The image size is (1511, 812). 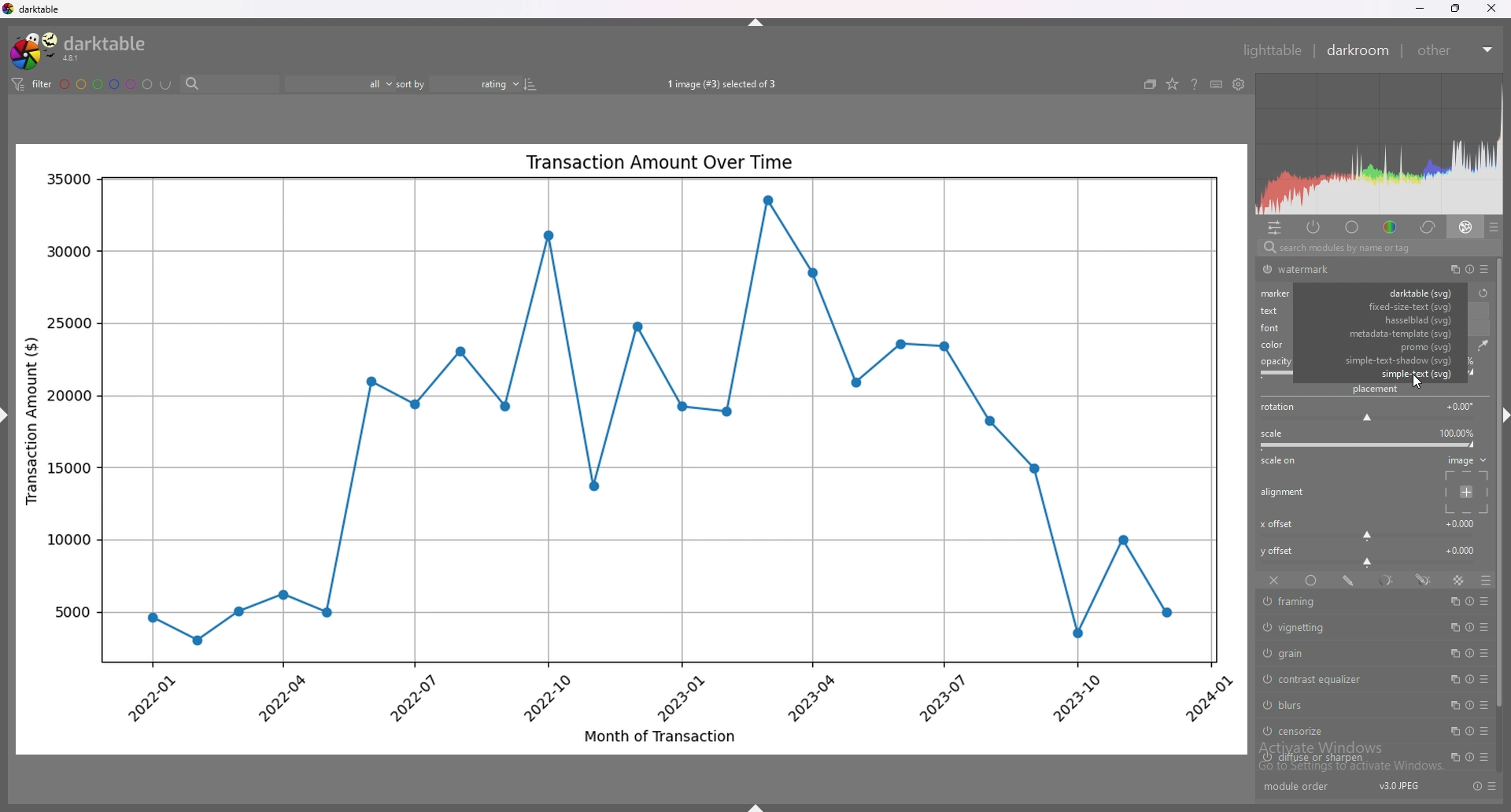 I want to click on multiple instances action, so click(x=1450, y=731).